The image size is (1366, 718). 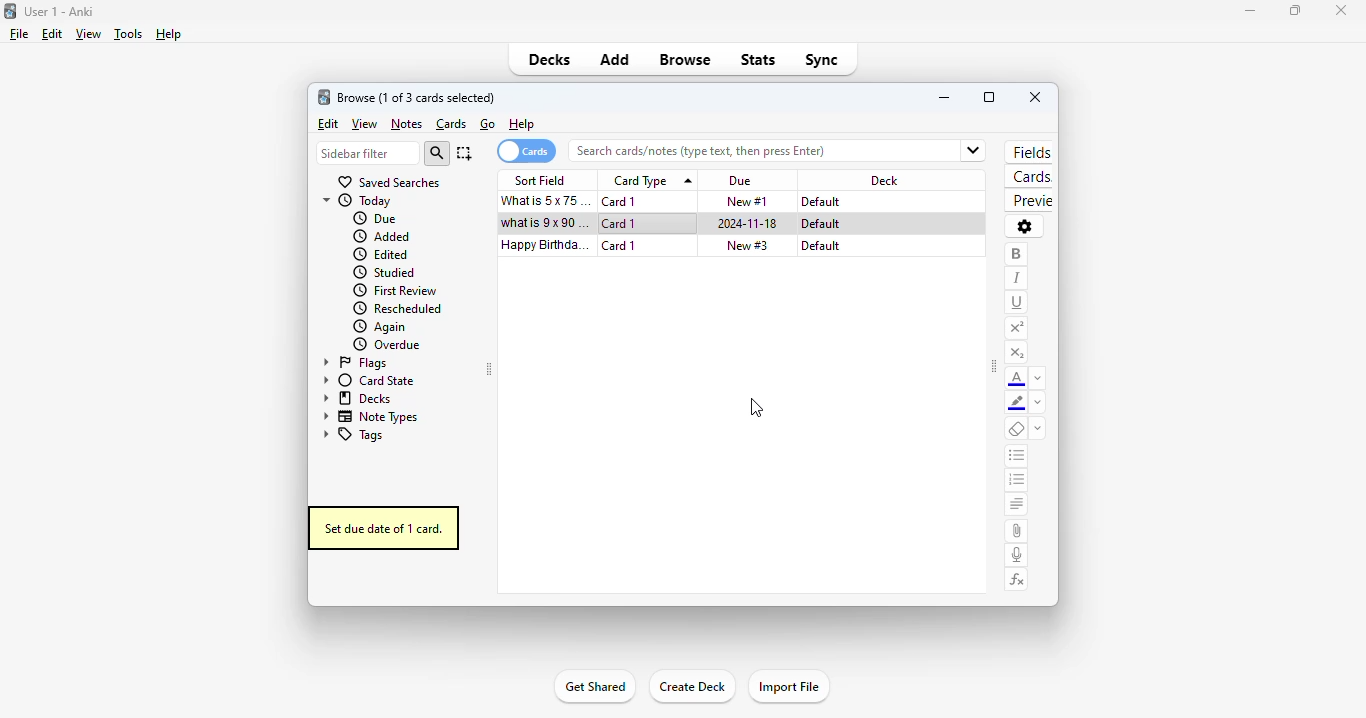 I want to click on User 1 - Anki, so click(x=59, y=11).